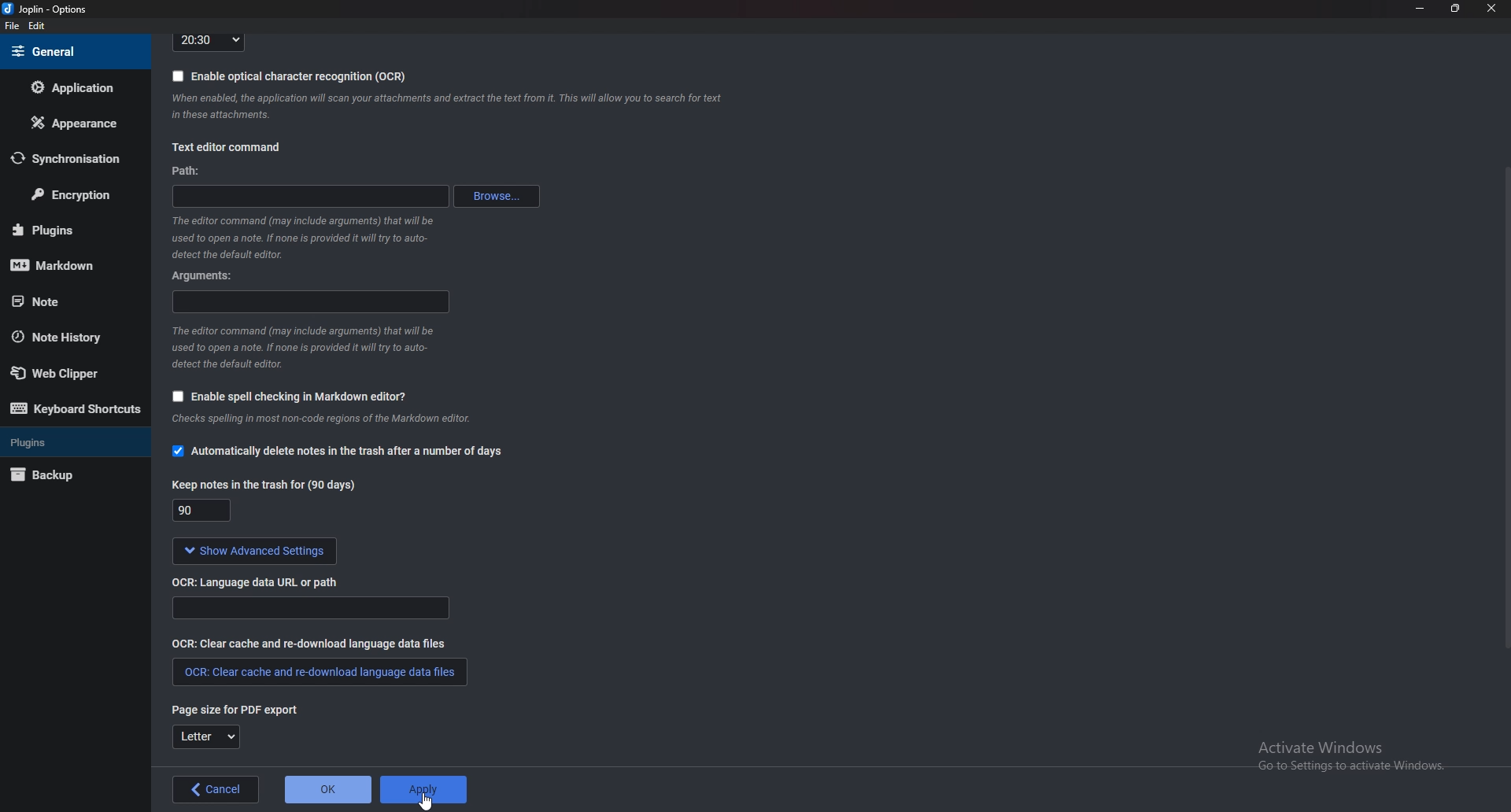 This screenshot has height=812, width=1511. What do you see at coordinates (1422, 8) in the screenshot?
I see `Minimize` at bounding box center [1422, 8].